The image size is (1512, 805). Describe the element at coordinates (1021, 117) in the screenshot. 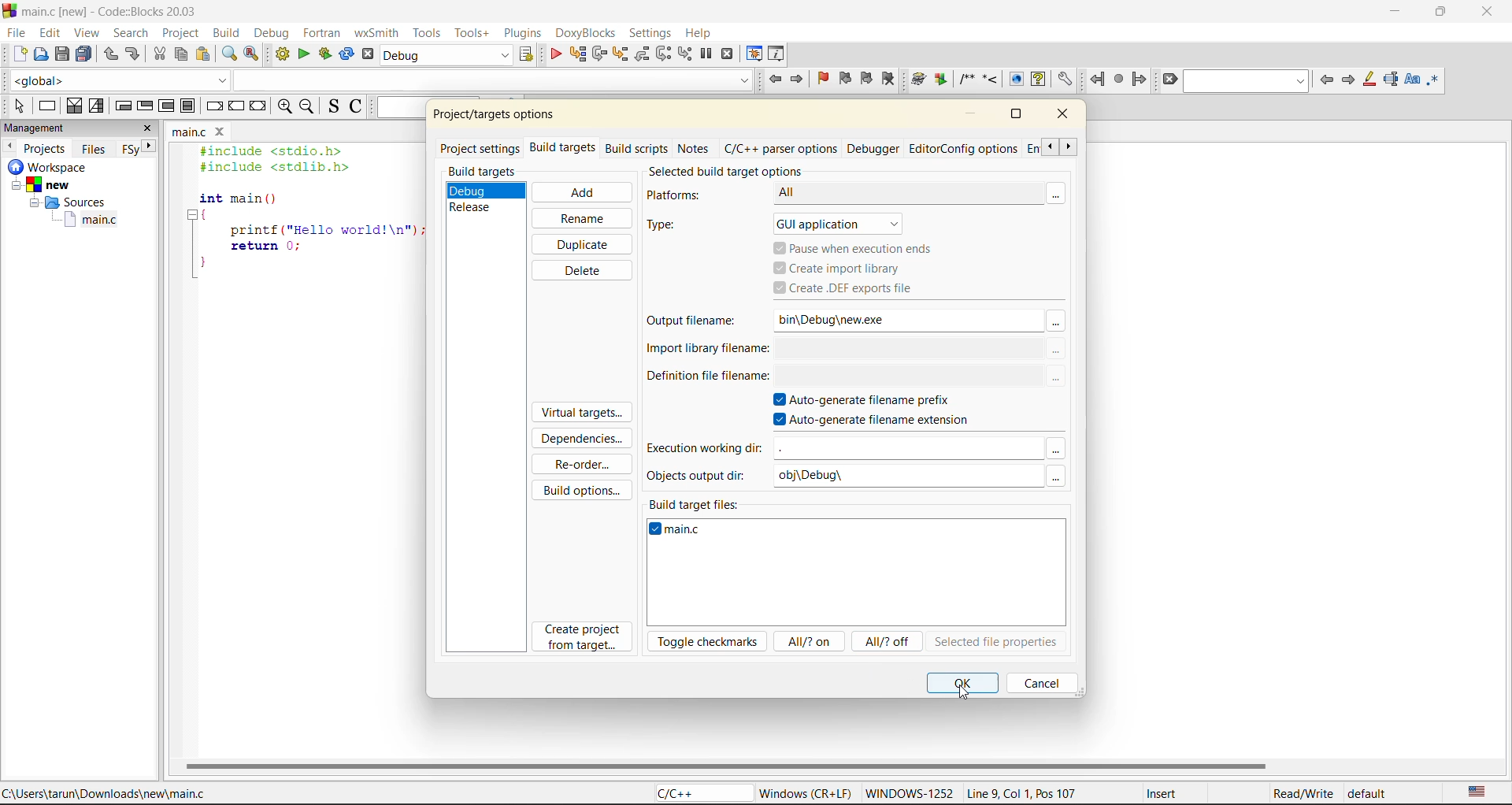

I see `maximize` at that location.